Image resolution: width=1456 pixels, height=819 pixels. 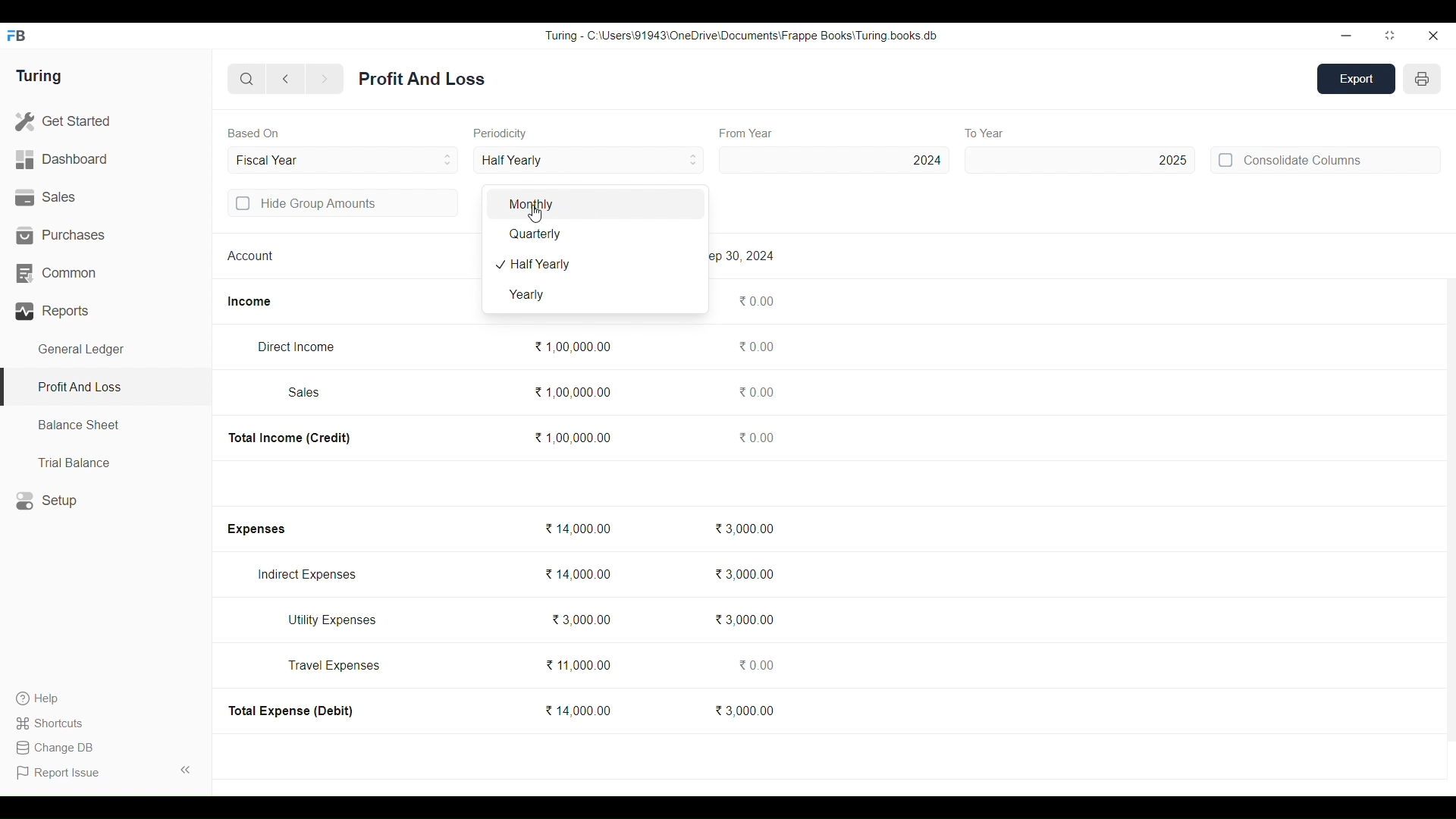 What do you see at coordinates (500, 133) in the screenshot?
I see `Periodicity` at bounding box center [500, 133].